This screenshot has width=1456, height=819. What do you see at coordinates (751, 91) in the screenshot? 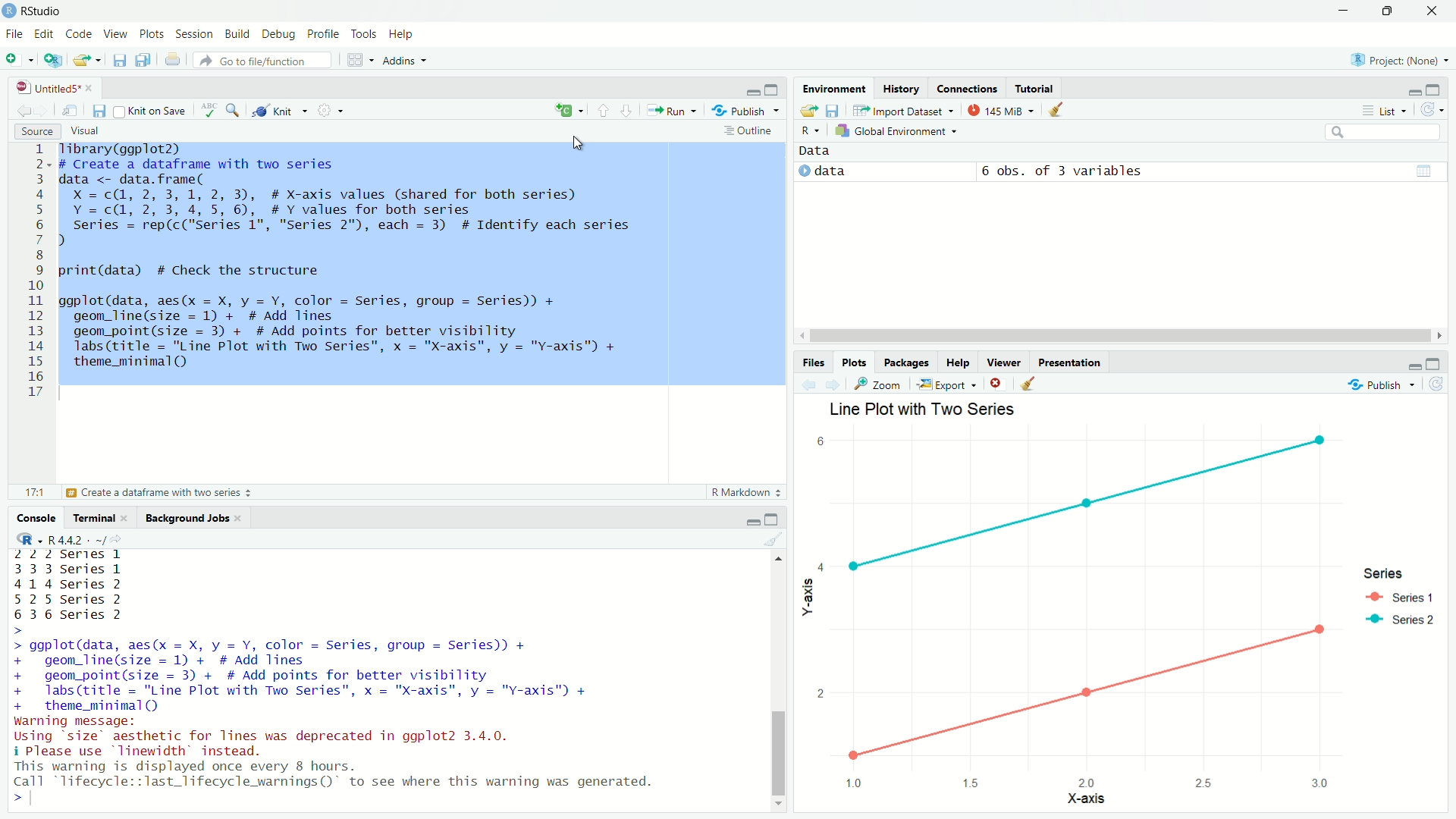
I see `Minimize` at bounding box center [751, 91].